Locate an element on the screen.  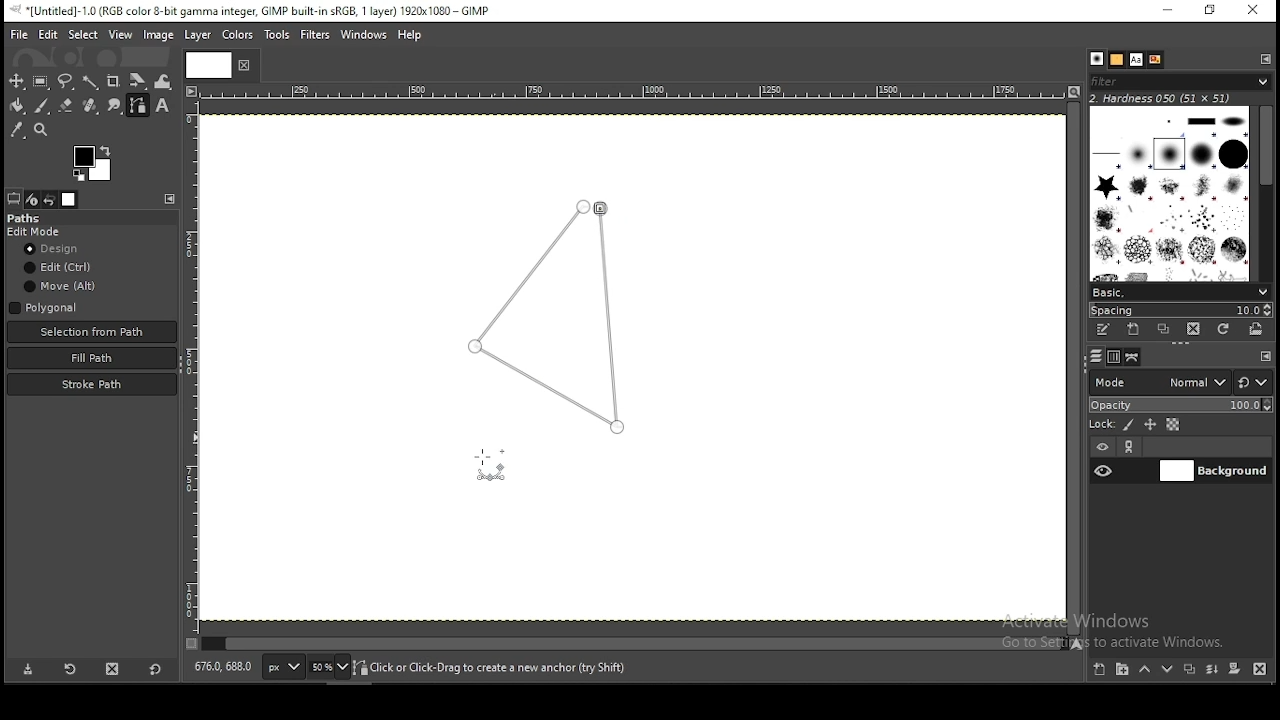
merge layer is located at coordinates (1214, 670).